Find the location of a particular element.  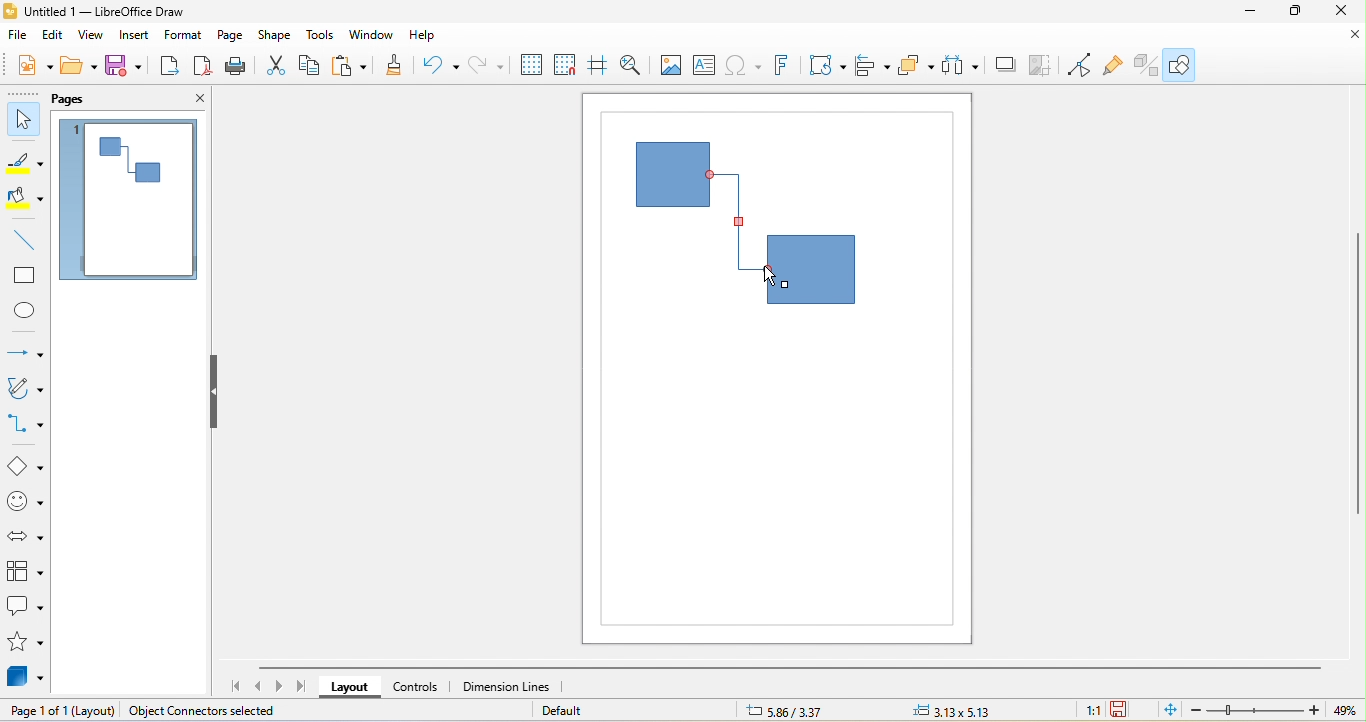

edit is located at coordinates (57, 35).